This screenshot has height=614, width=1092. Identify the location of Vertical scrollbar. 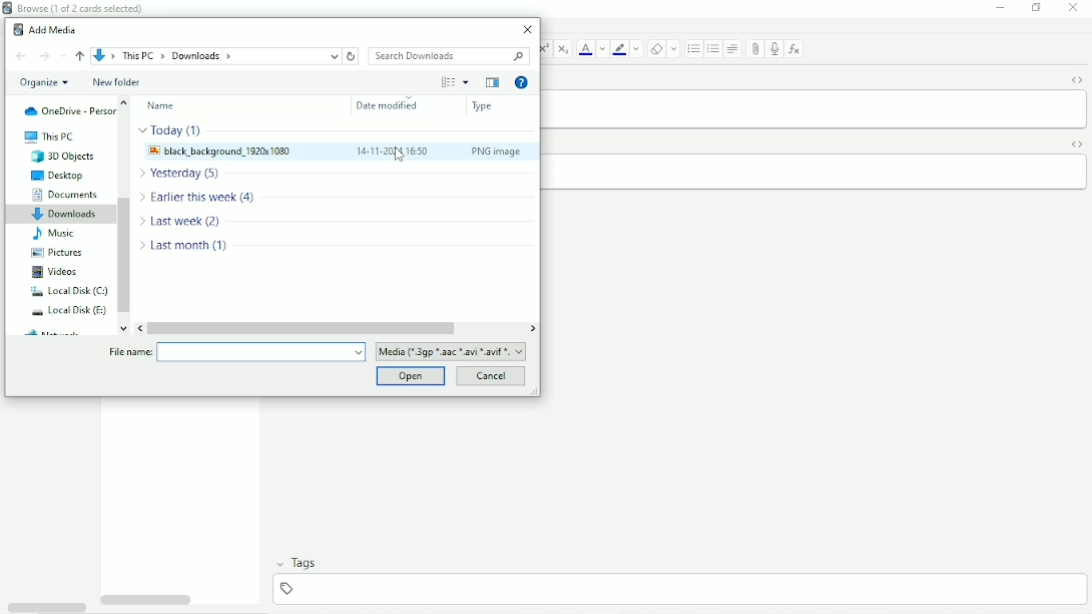
(124, 257).